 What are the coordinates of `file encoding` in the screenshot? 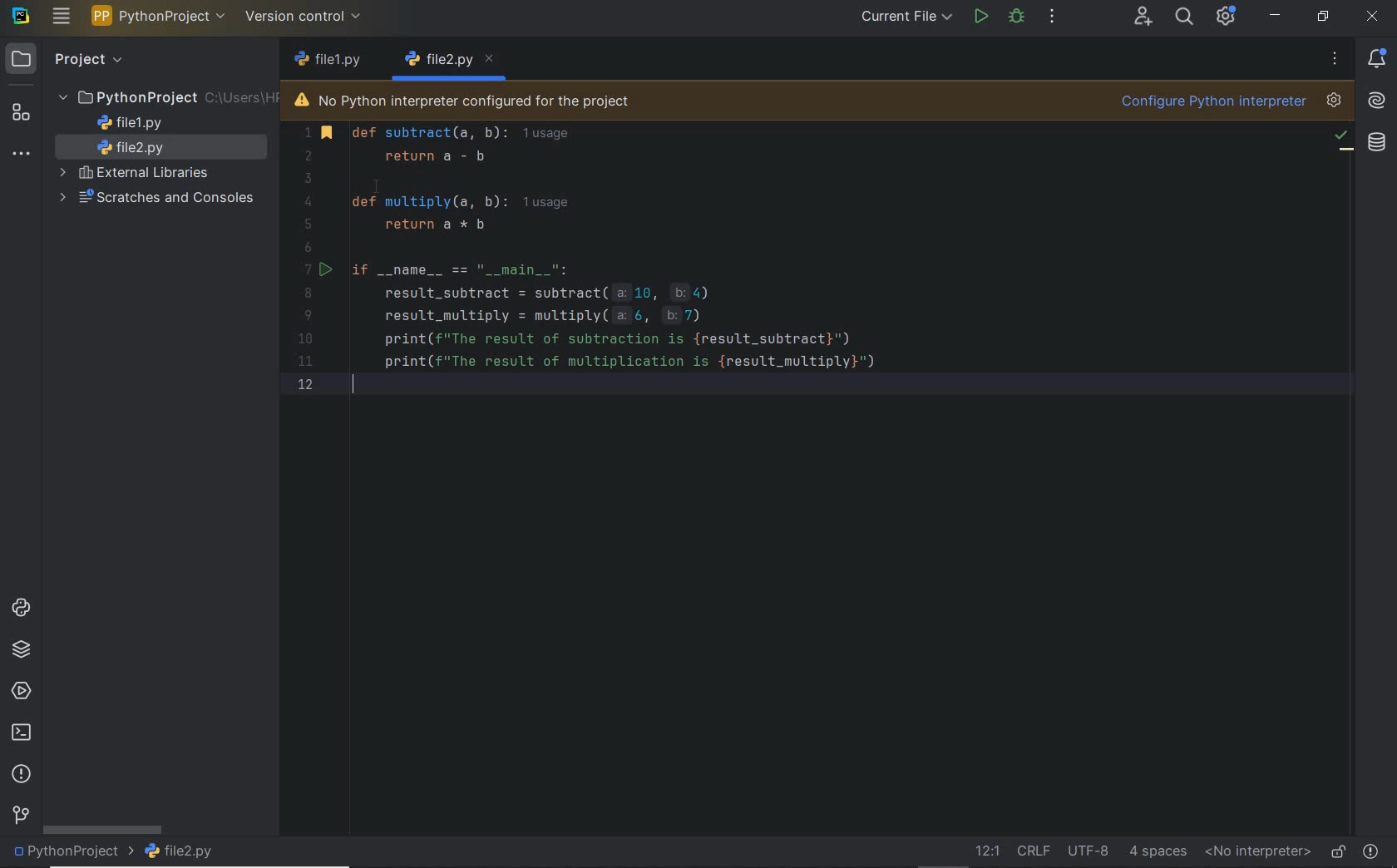 It's located at (1089, 850).